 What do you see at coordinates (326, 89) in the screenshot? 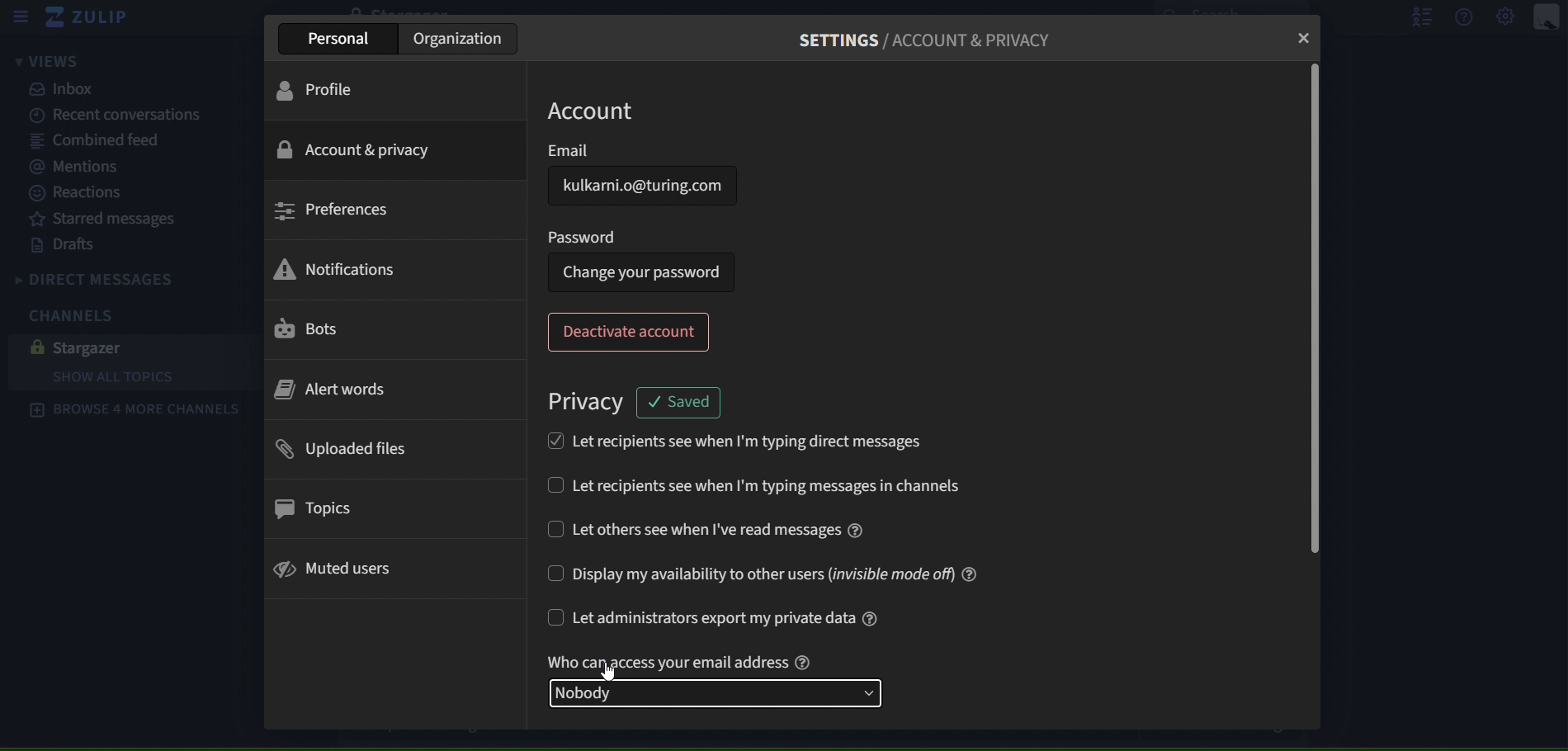
I see `profile` at bounding box center [326, 89].